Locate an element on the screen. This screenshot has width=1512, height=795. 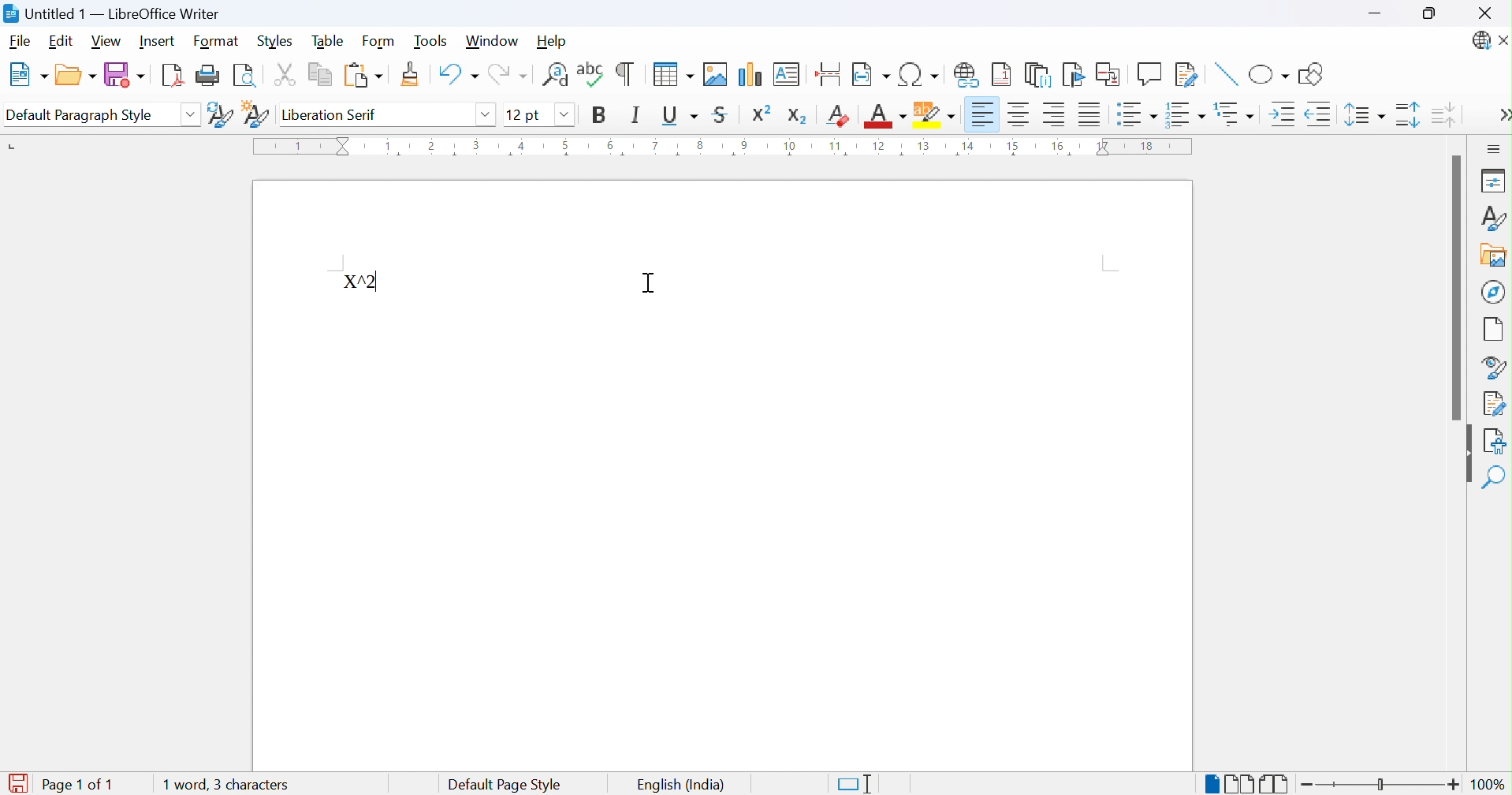
More is located at coordinates (1503, 114).